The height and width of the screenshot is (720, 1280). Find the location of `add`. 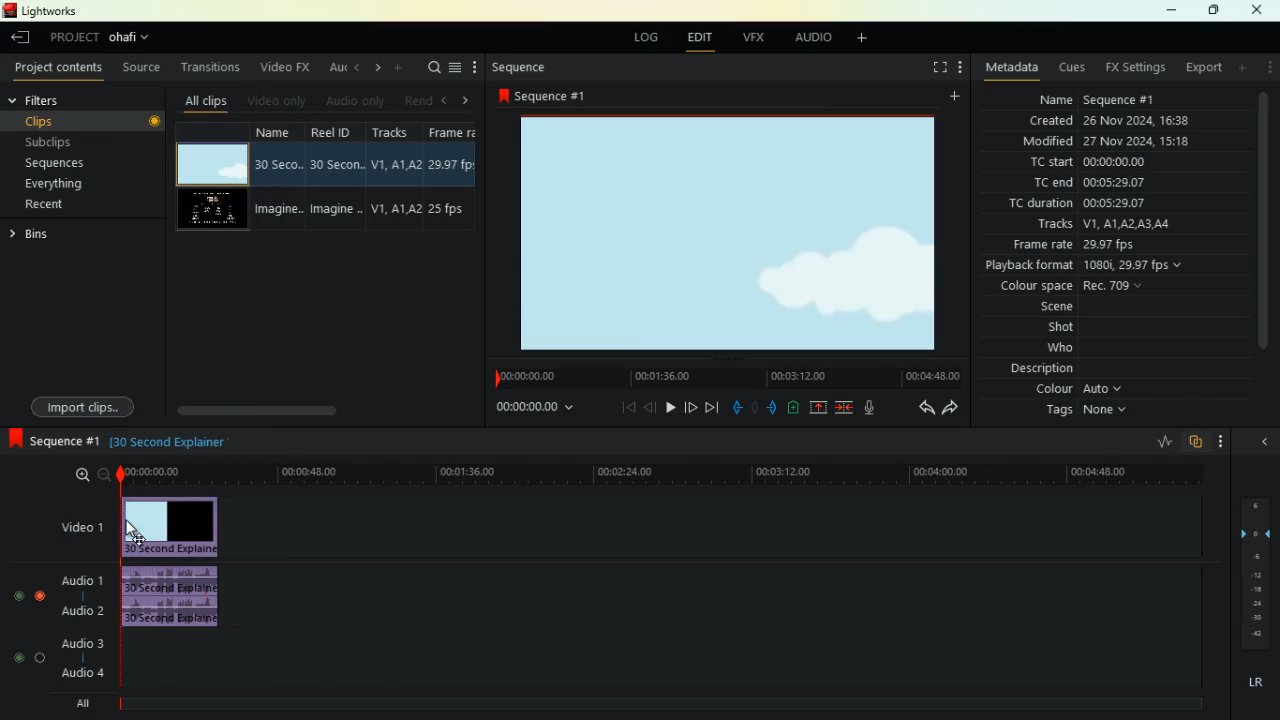

add is located at coordinates (959, 96).